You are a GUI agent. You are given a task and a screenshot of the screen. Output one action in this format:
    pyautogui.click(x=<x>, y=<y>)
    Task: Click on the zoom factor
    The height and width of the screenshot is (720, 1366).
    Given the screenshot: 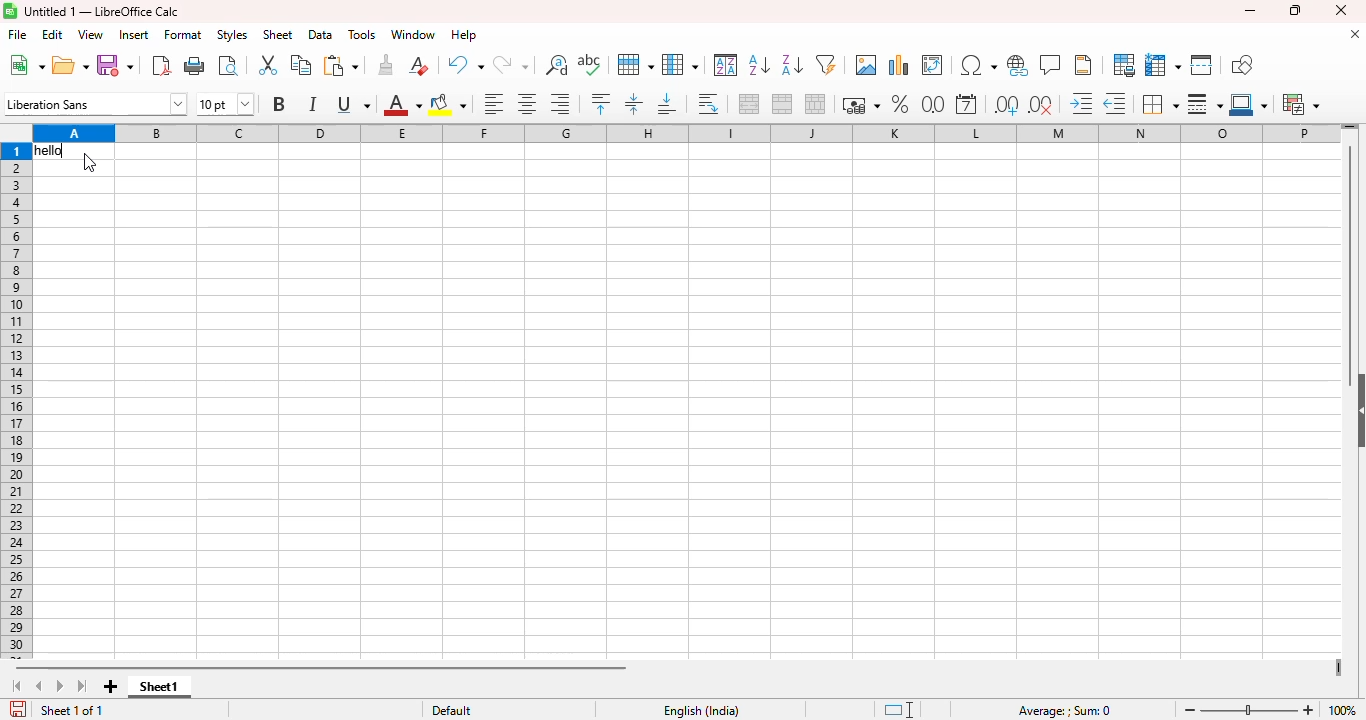 What is the action you would take?
    pyautogui.click(x=1342, y=711)
    